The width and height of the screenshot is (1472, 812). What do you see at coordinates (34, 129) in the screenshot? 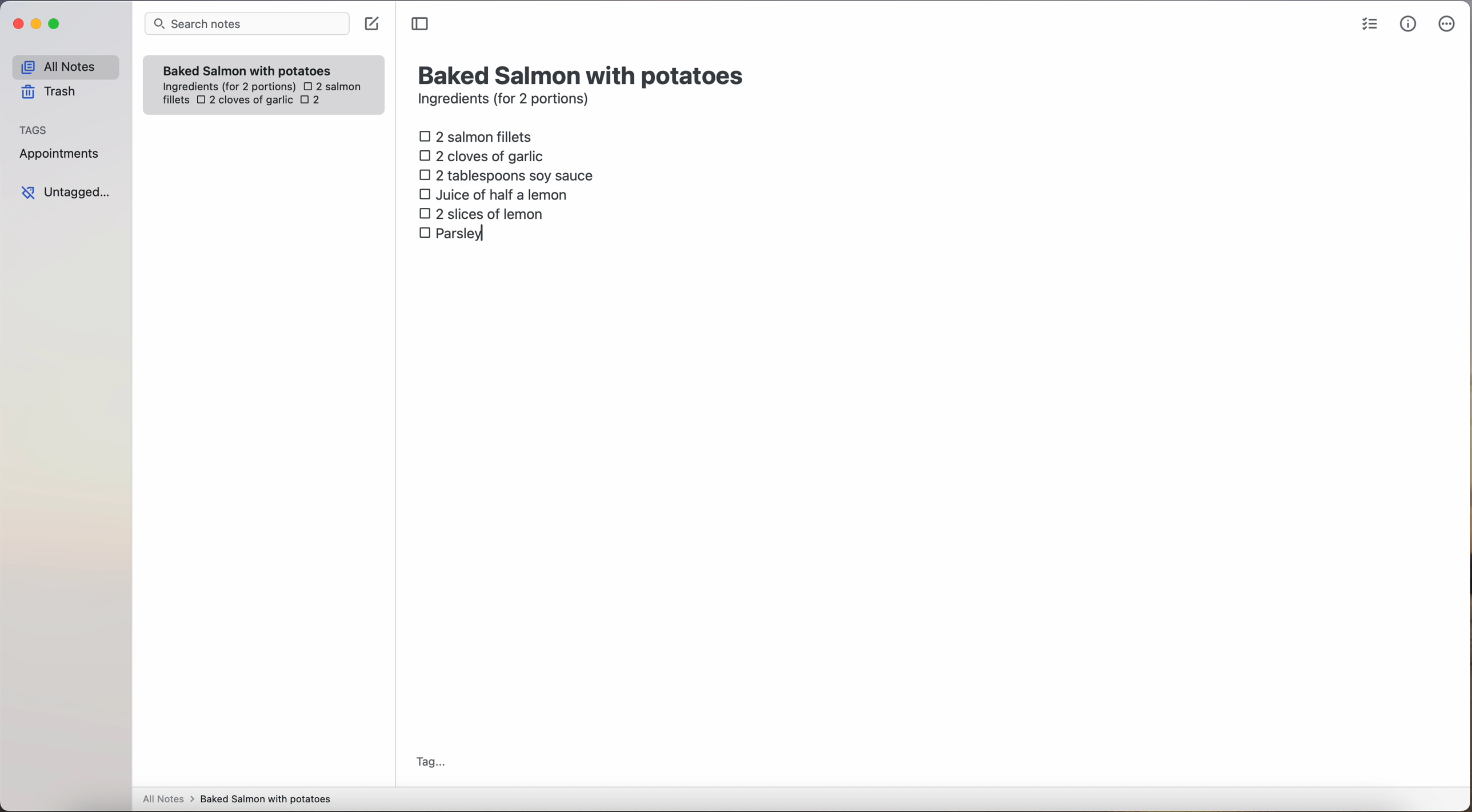
I see `tags` at bounding box center [34, 129].